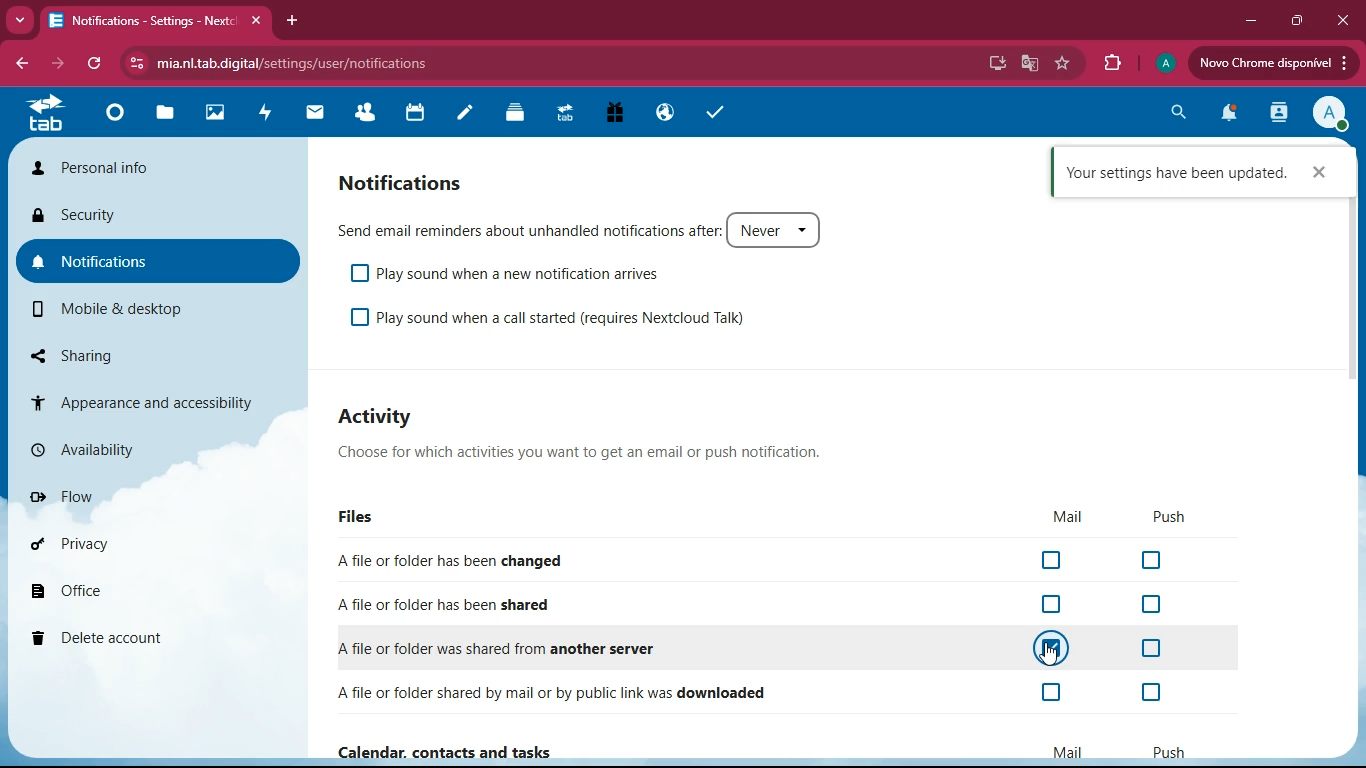 The image size is (1366, 768). I want to click on confirmation, so click(1177, 173).